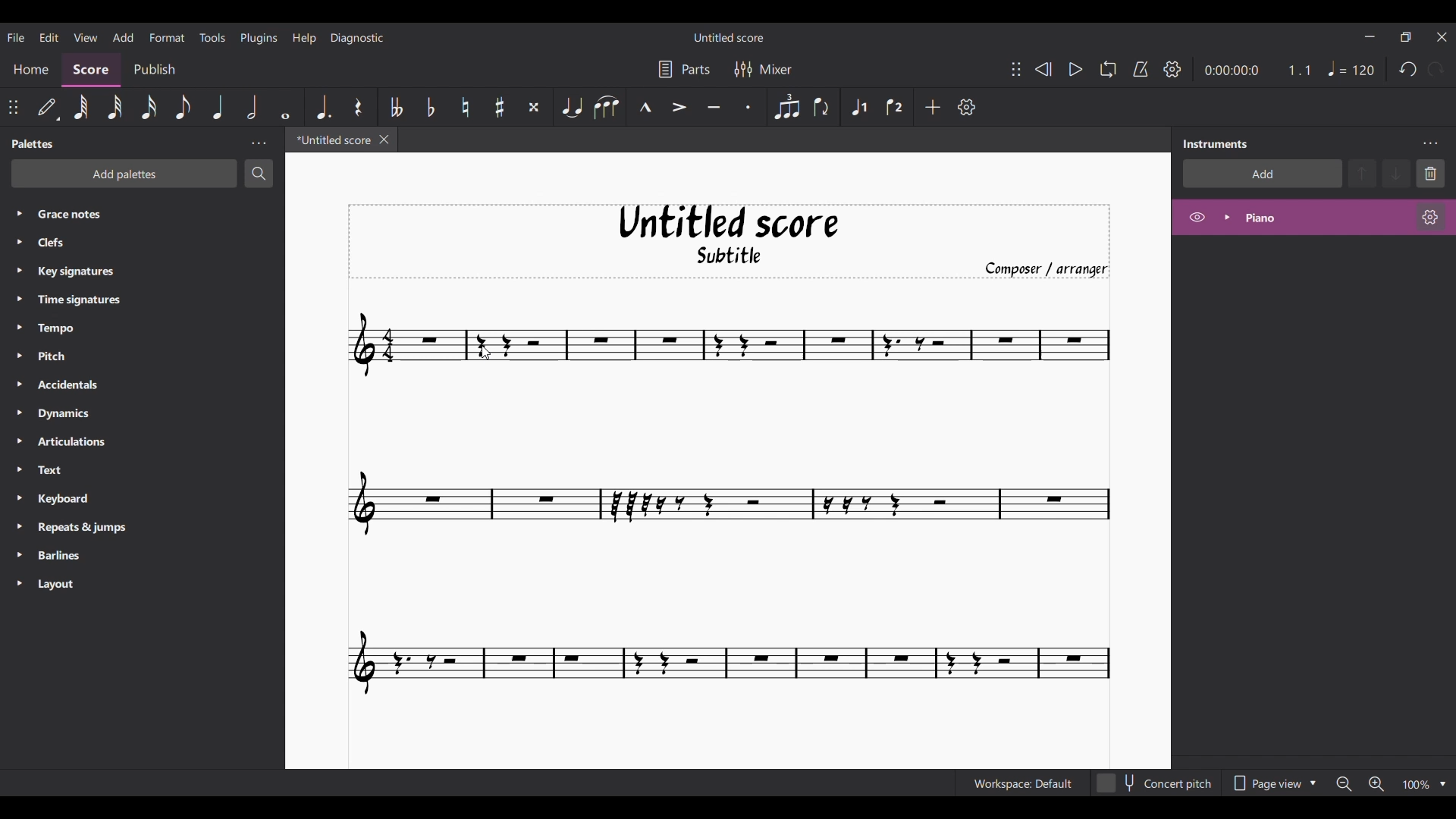 This screenshot has width=1456, height=819. Describe the element at coordinates (358, 107) in the screenshot. I see `Rest` at that location.